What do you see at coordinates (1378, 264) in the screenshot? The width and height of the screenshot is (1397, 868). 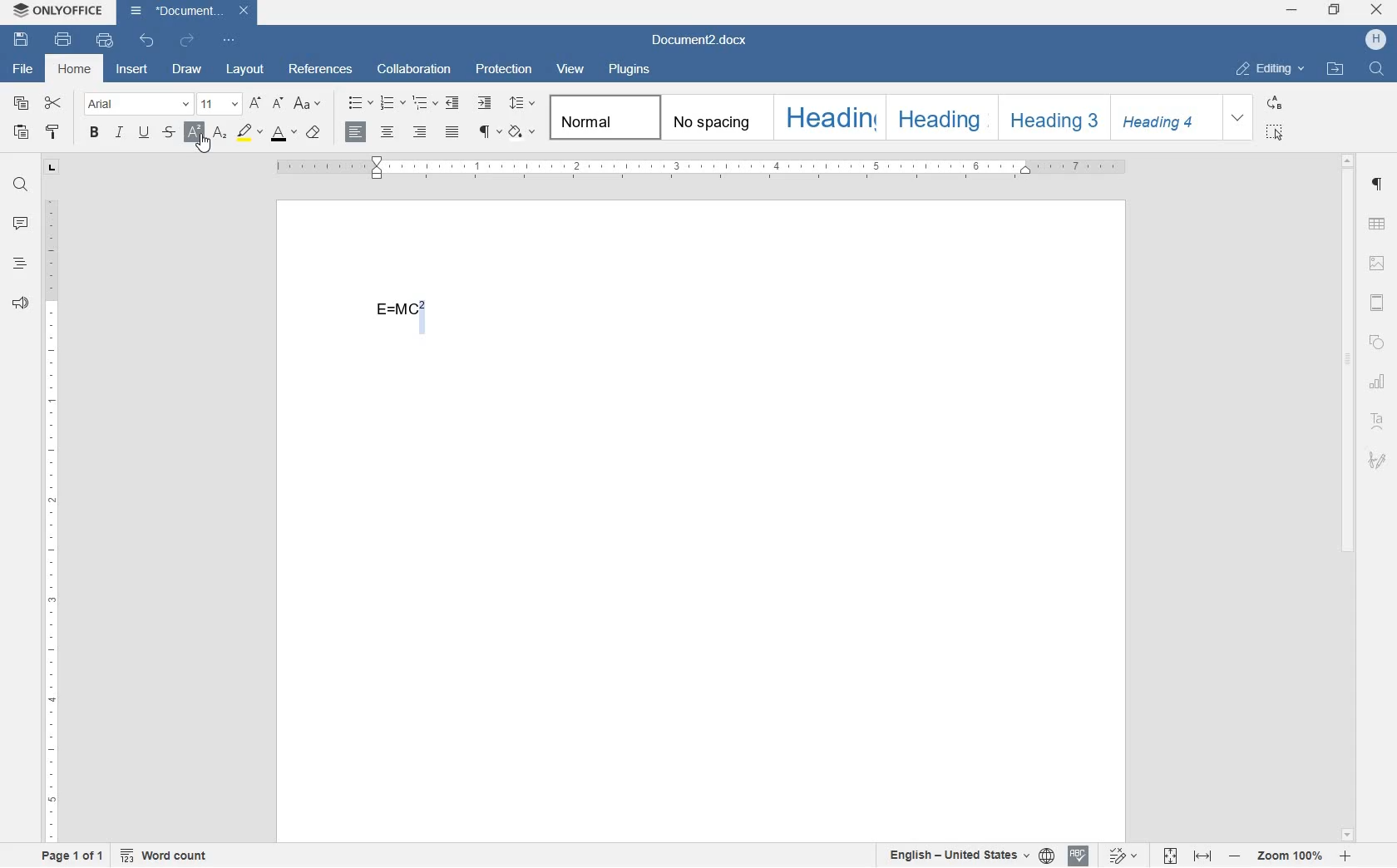 I see `image` at bounding box center [1378, 264].